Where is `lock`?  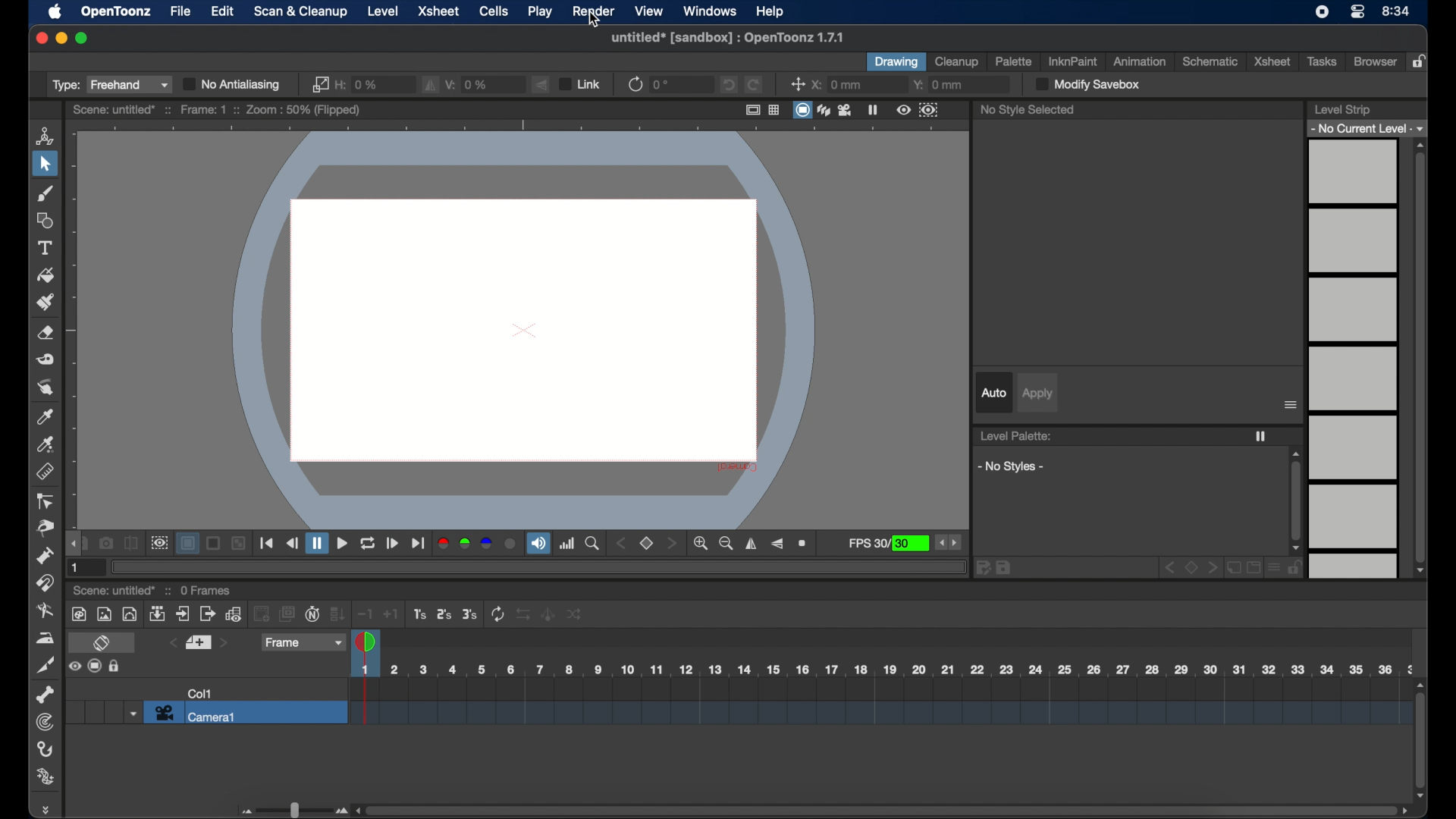
lock is located at coordinates (1421, 62).